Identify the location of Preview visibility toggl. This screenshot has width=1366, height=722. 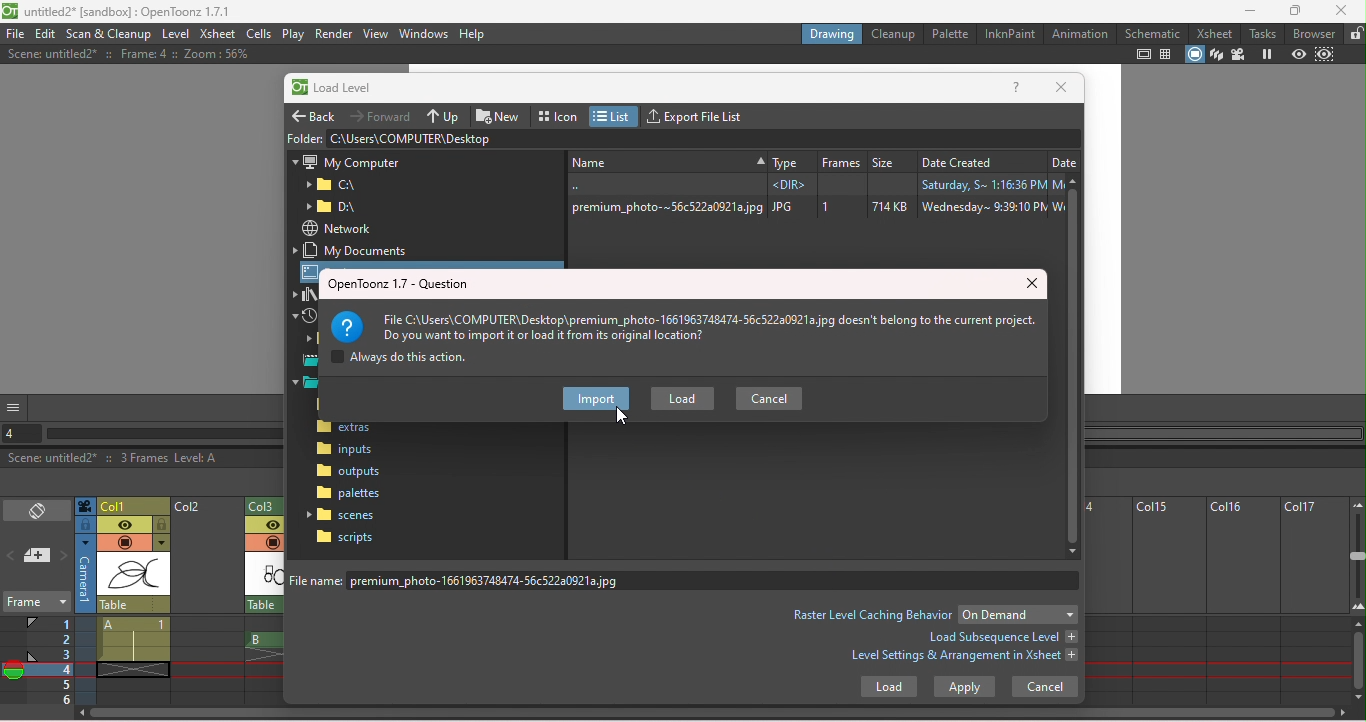
(263, 526).